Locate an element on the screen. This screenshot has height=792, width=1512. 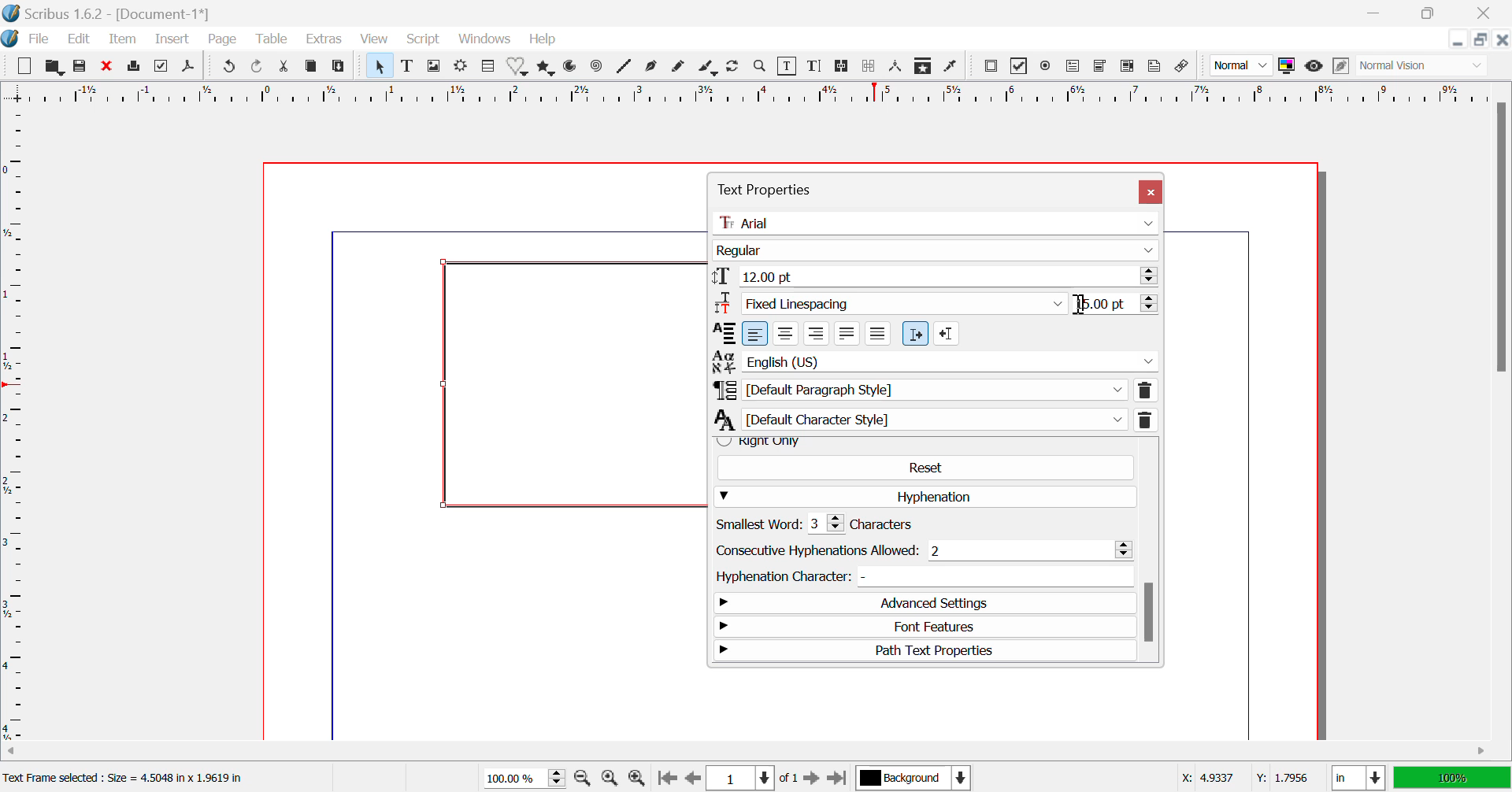
First Page is located at coordinates (666, 778).